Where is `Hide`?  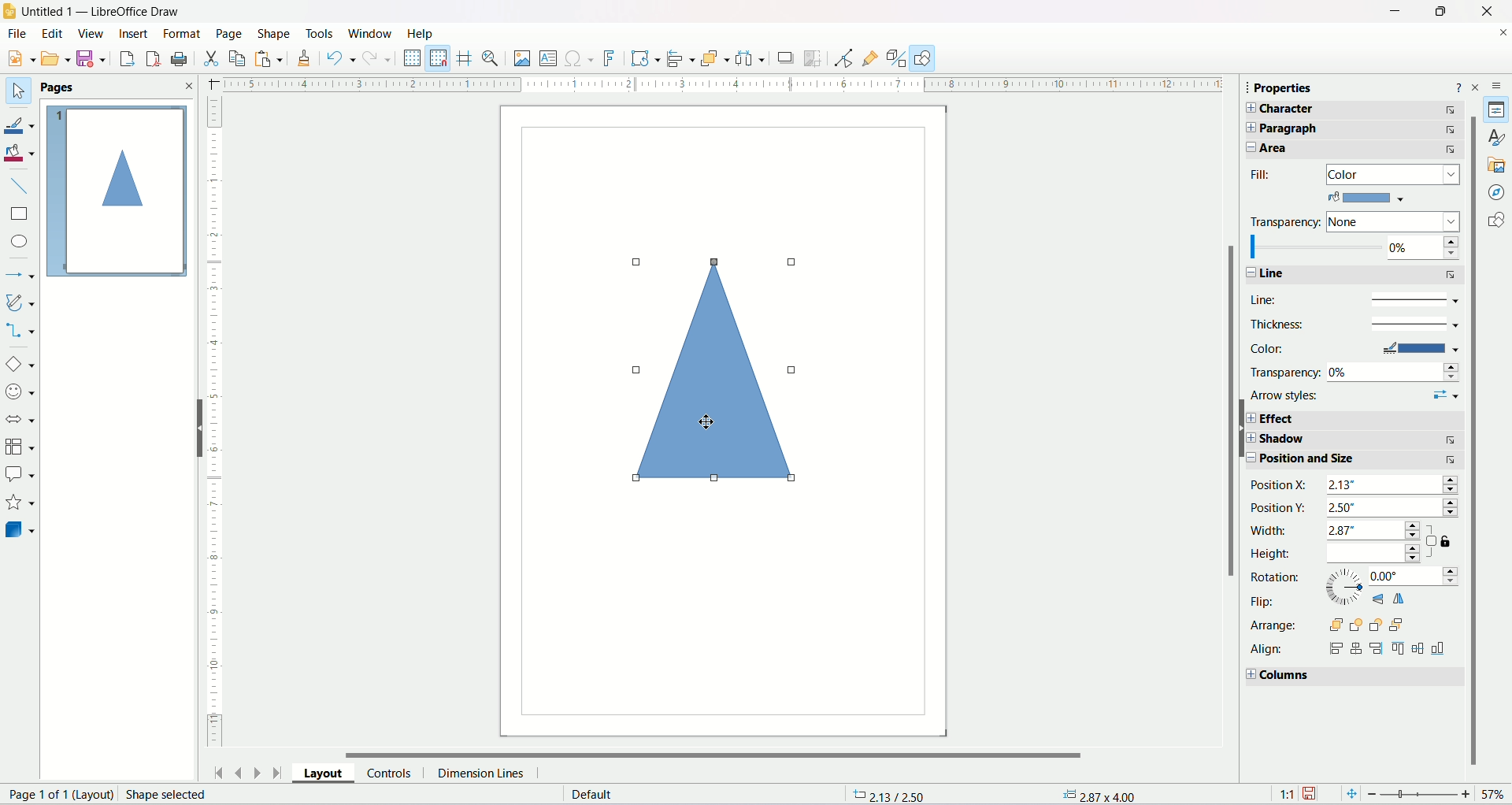
Hide is located at coordinates (191, 428).